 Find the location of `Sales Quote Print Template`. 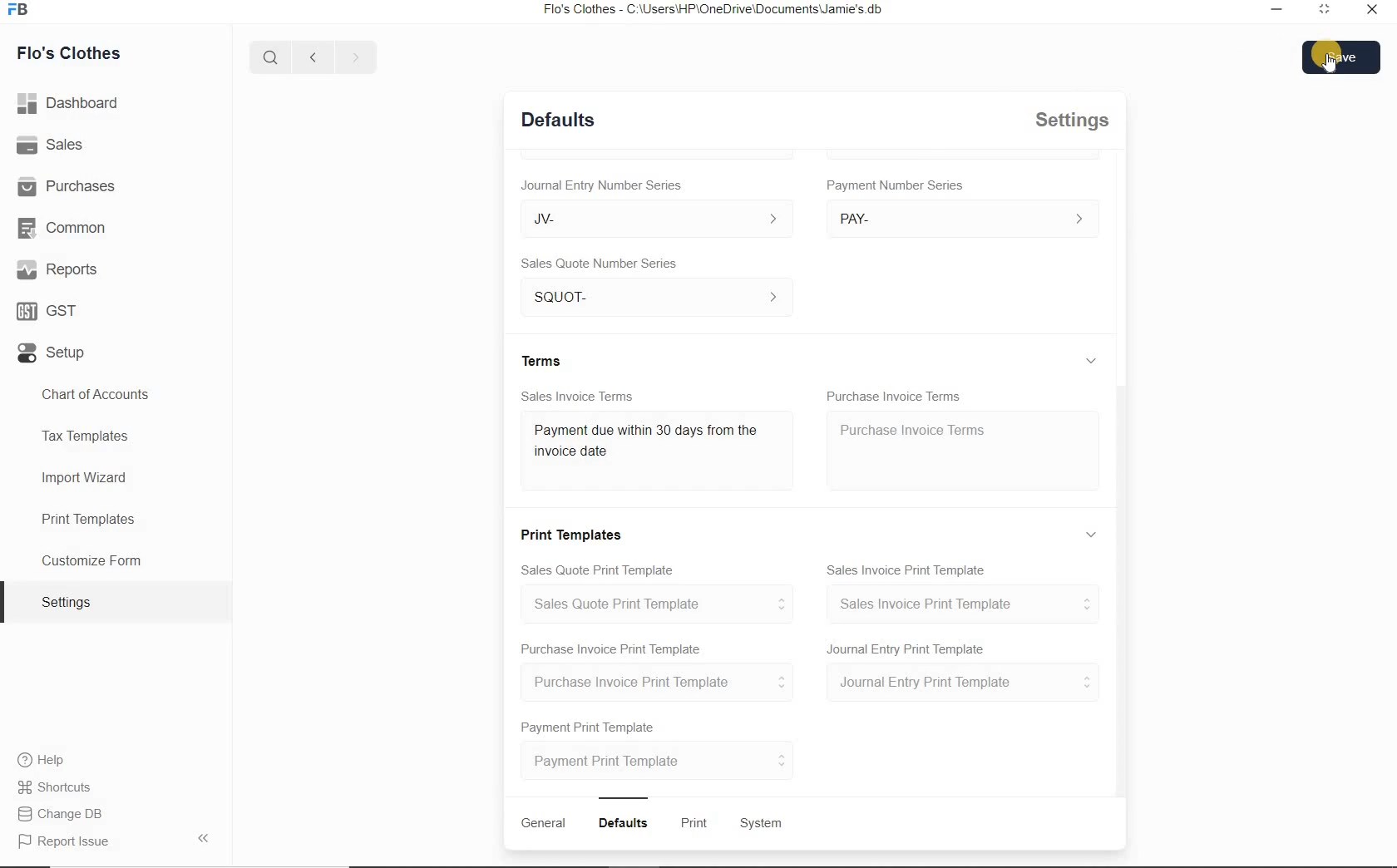

Sales Quote Print Template is located at coordinates (653, 604).